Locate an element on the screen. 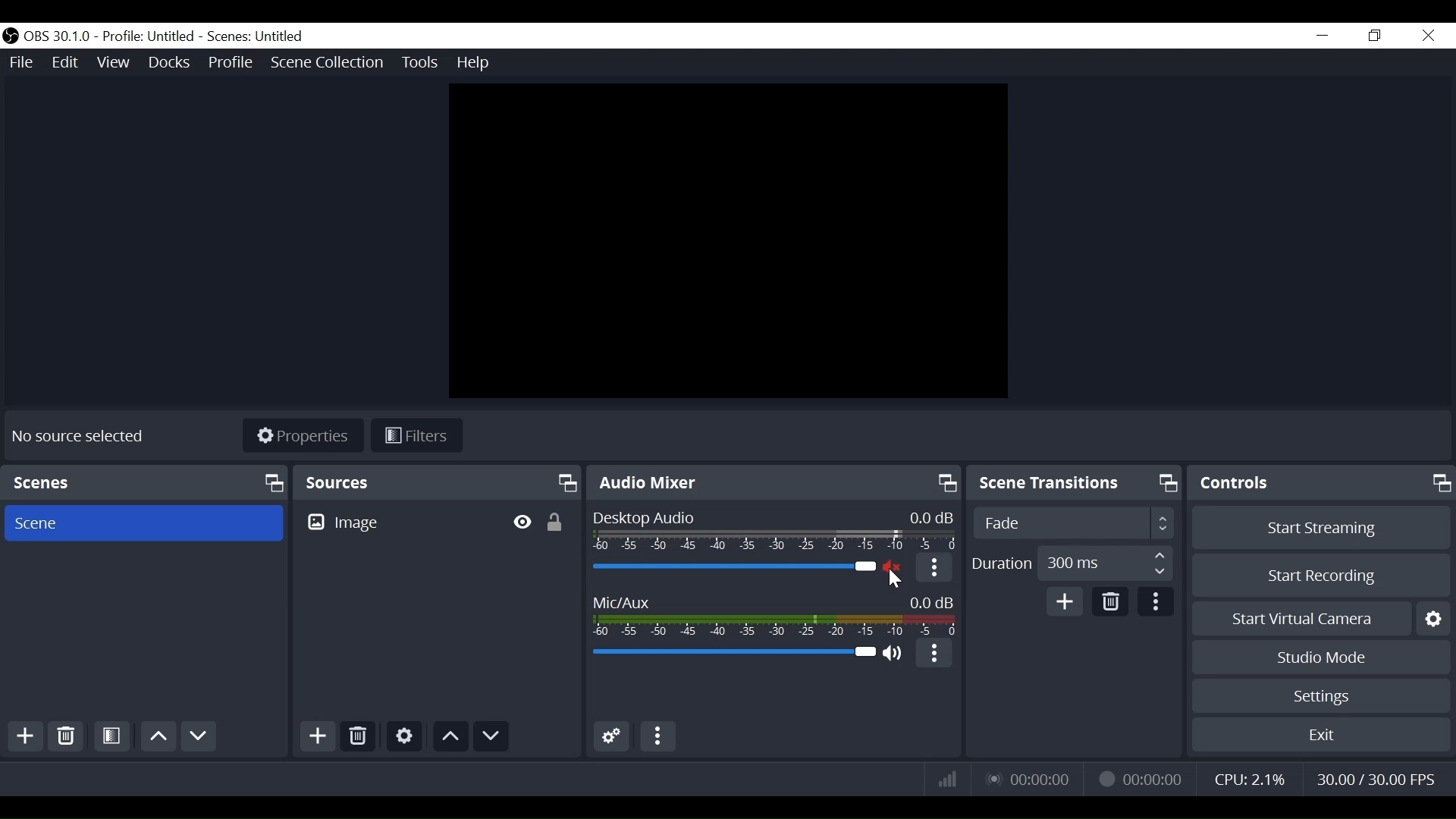 The height and width of the screenshot is (819, 1456). Audio Muted is located at coordinates (896, 570).